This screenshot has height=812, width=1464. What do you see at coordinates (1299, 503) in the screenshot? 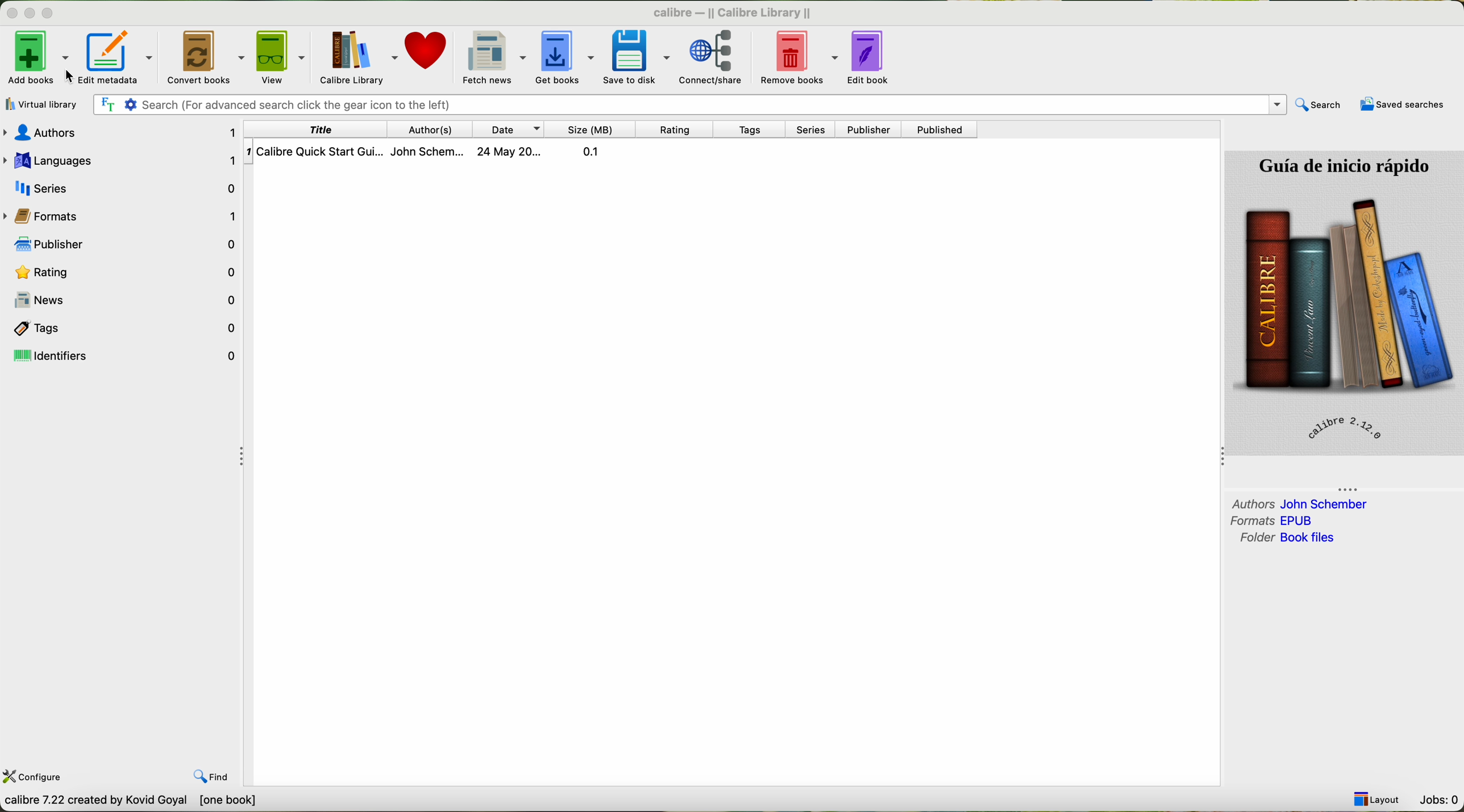
I see `authors` at bounding box center [1299, 503].